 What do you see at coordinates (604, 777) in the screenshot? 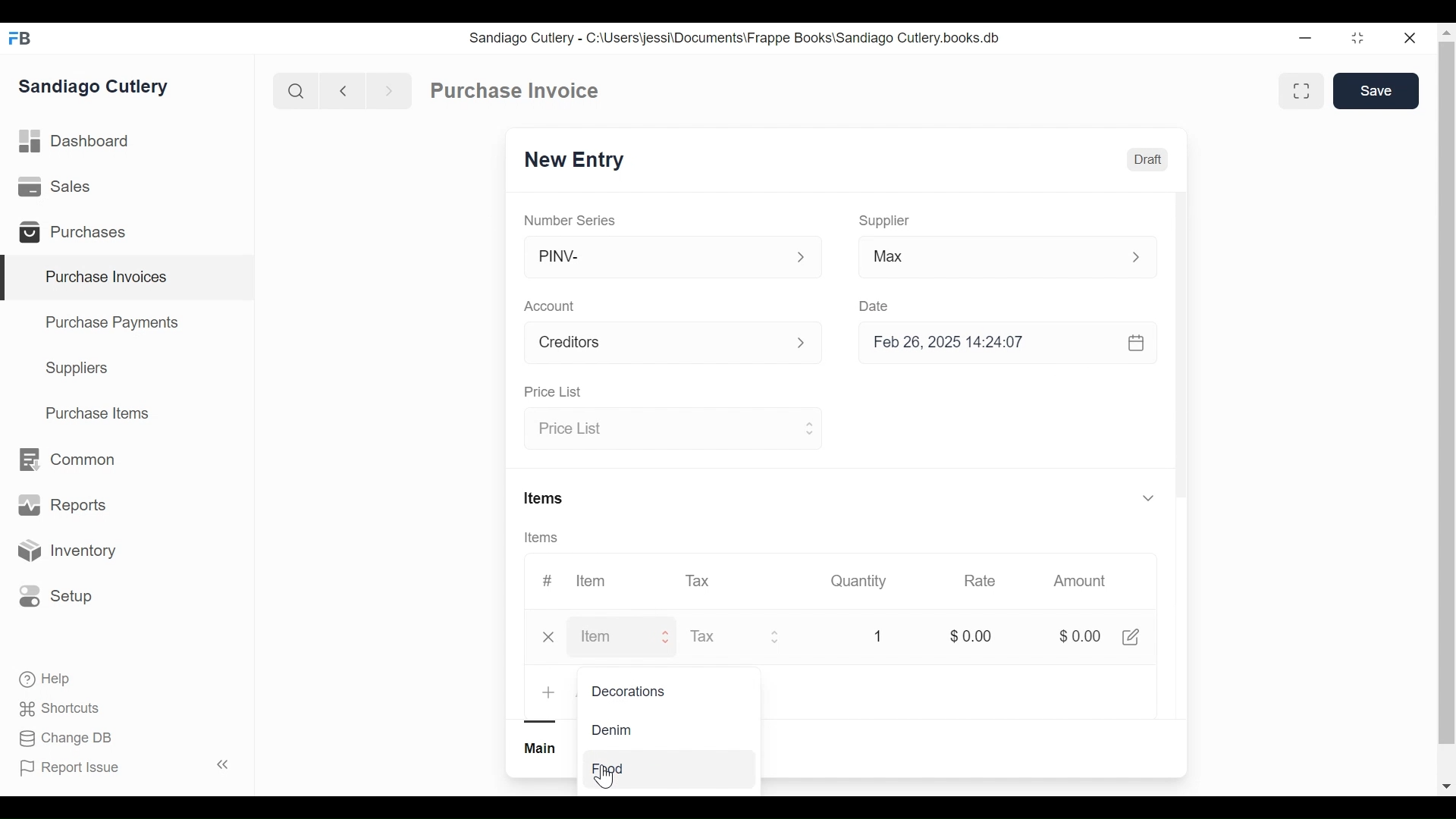
I see `cursor` at bounding box center [604, 777].